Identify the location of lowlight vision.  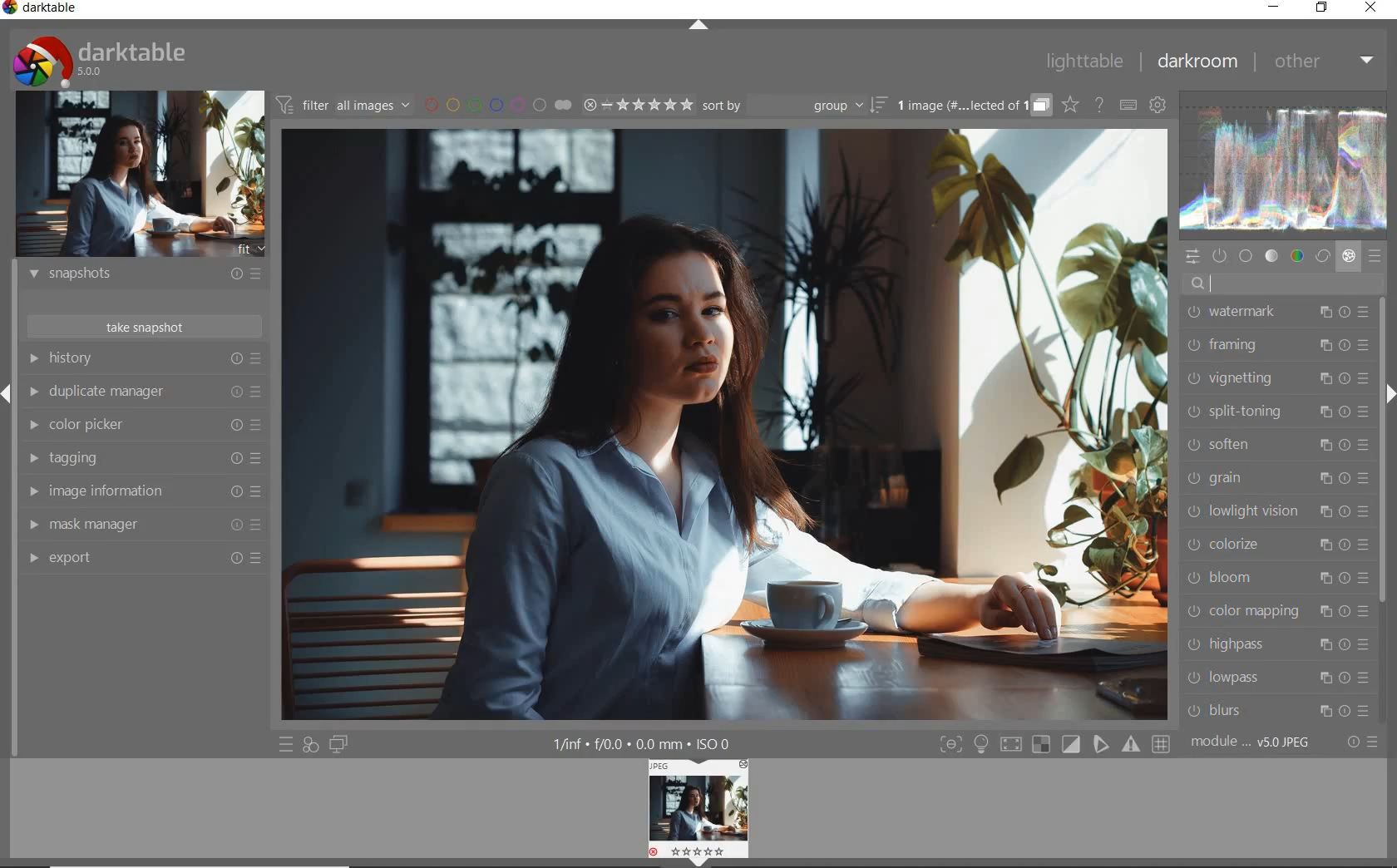
(1274, 510).